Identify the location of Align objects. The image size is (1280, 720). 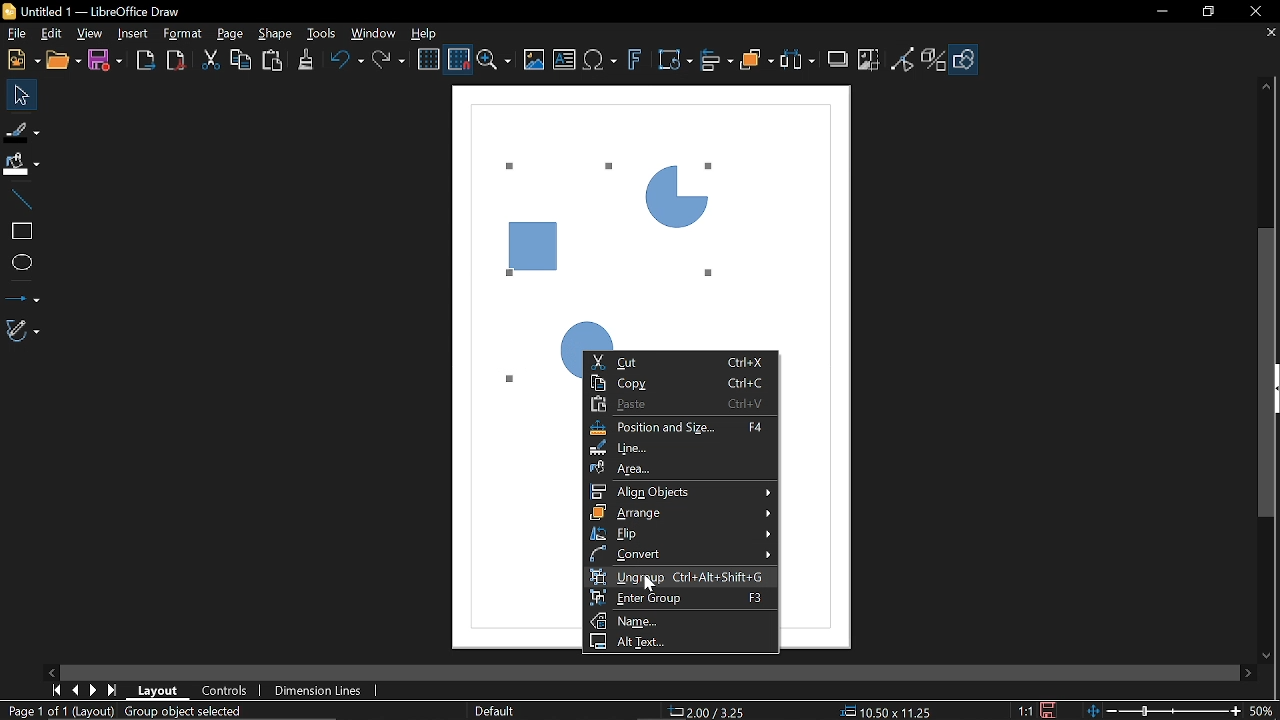
(682, 491).